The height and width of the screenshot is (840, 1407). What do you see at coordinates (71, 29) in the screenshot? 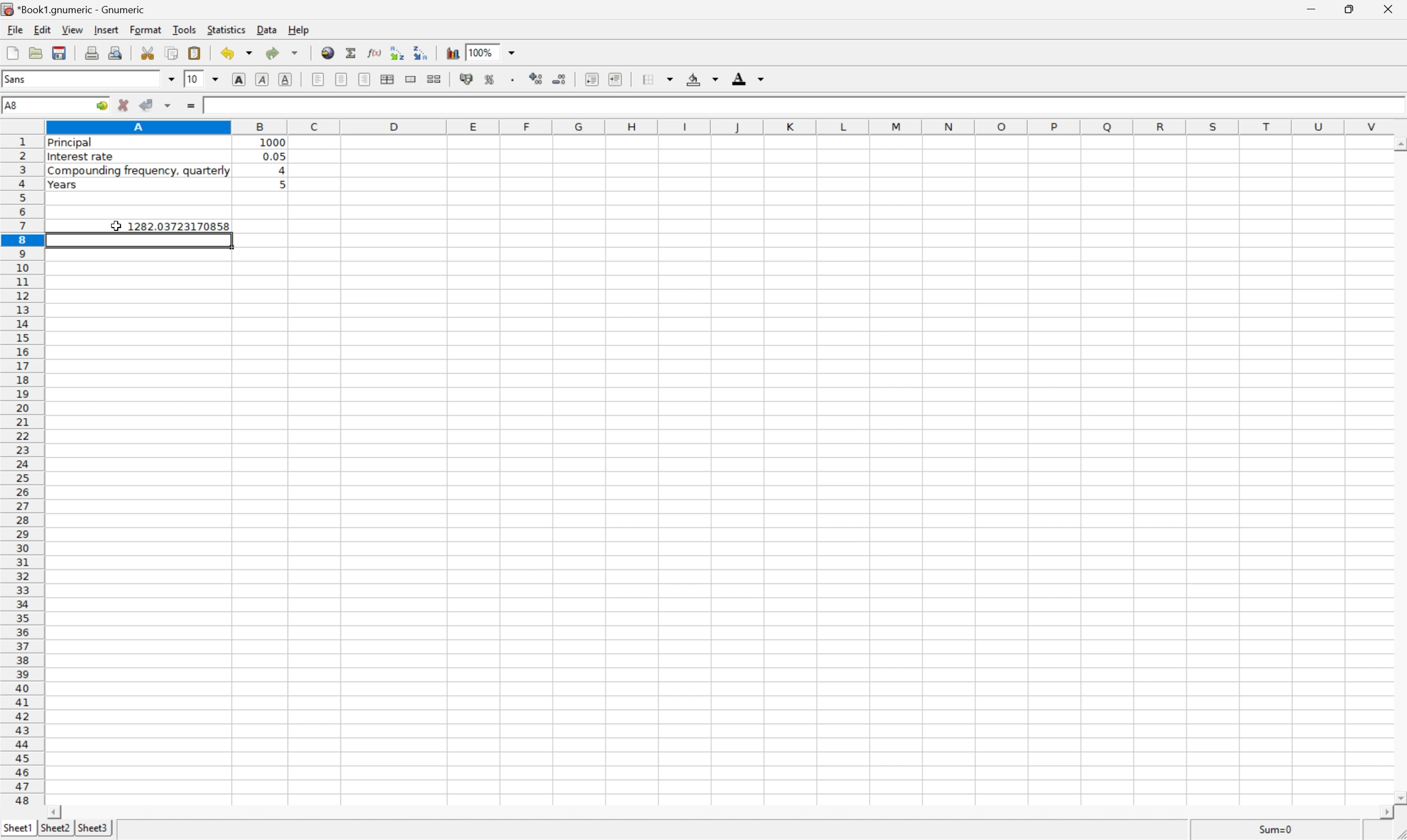
I see `view` at bounding box center [71, 29].